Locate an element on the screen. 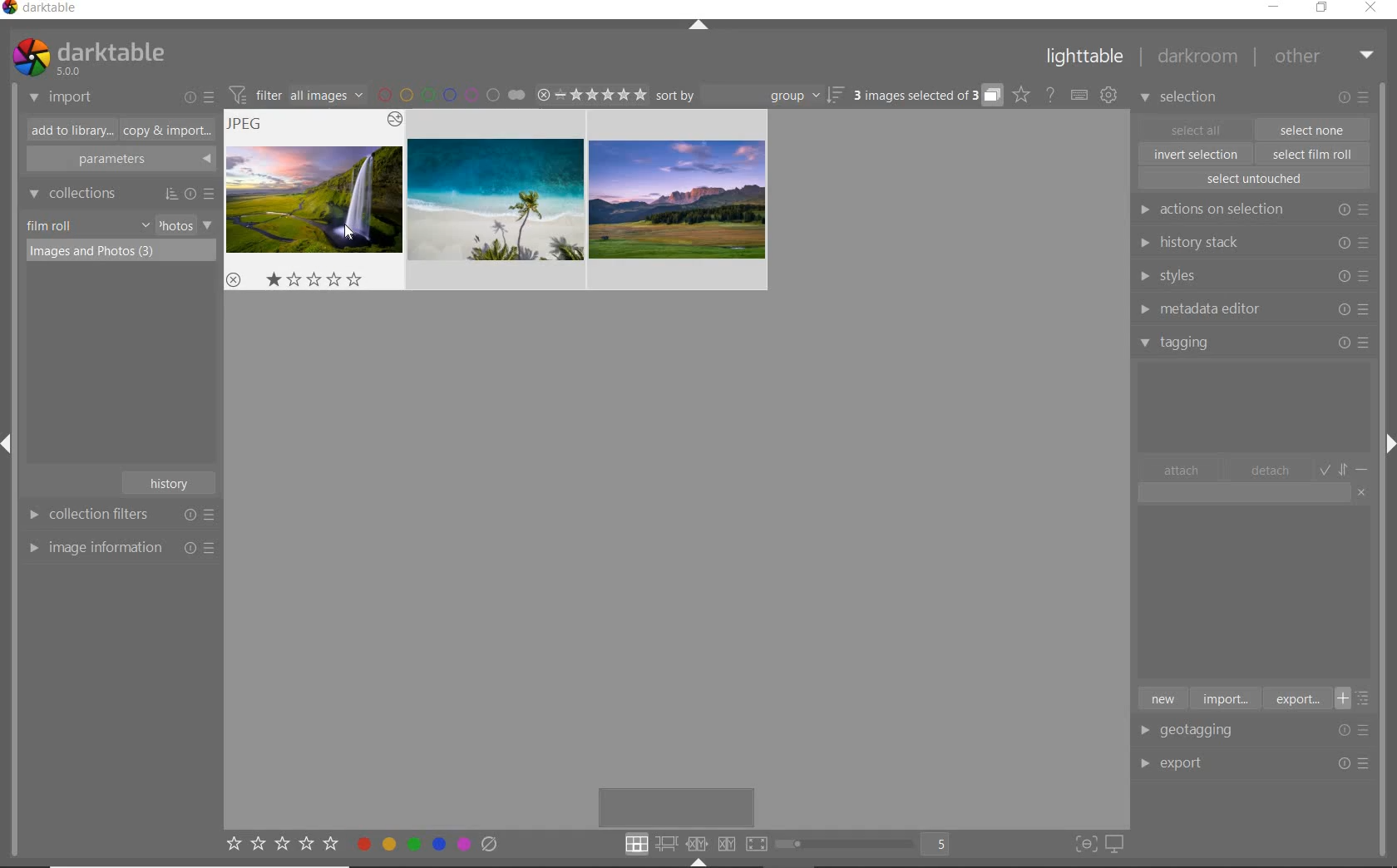 Image resolution: width=1397 pixels, height=868 pixels. history is located at coordinates (171, 481).